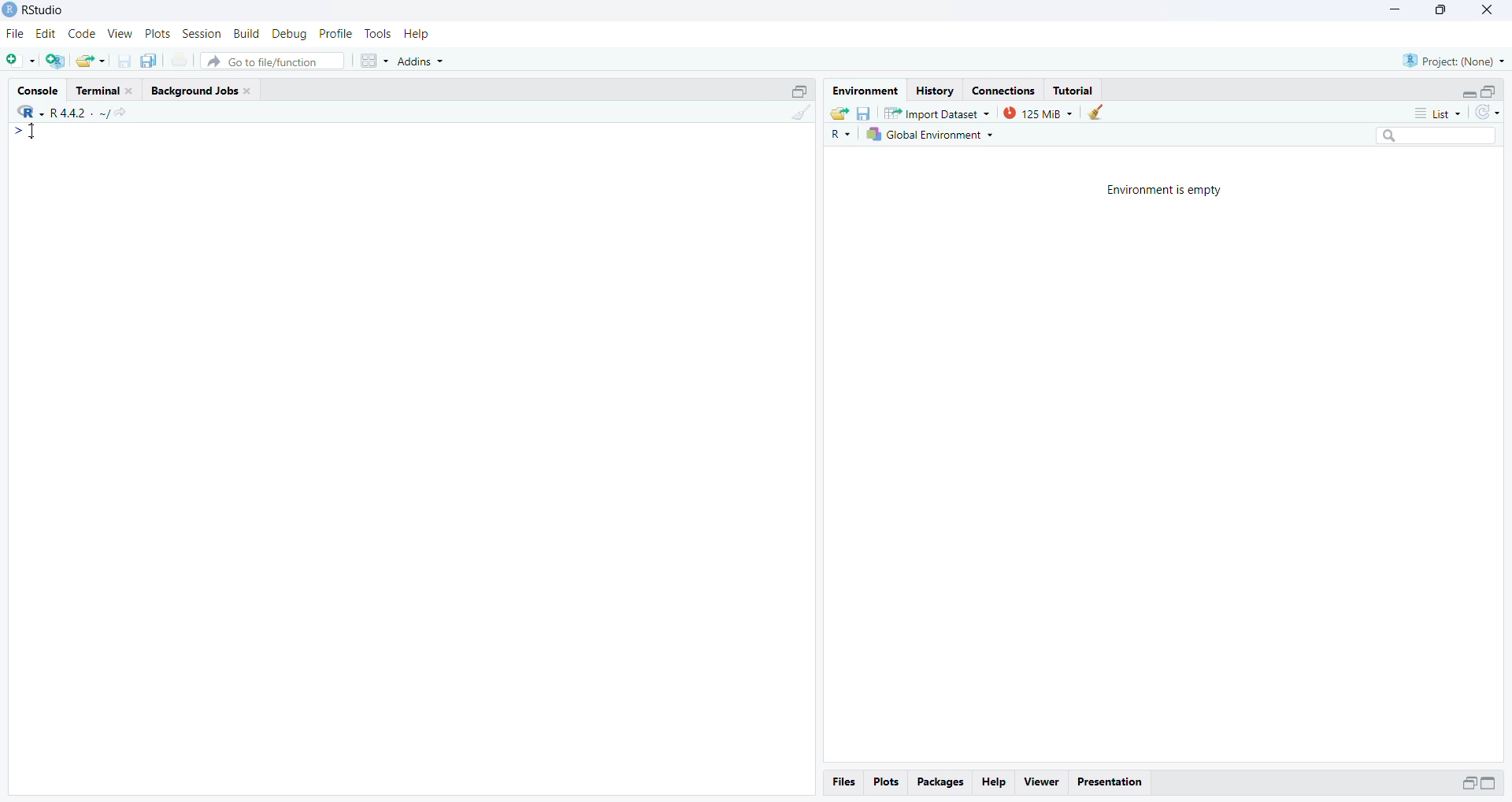 This screenshot has width=1512, height=802. I want to click on Project: (None), so click(1455, 60).